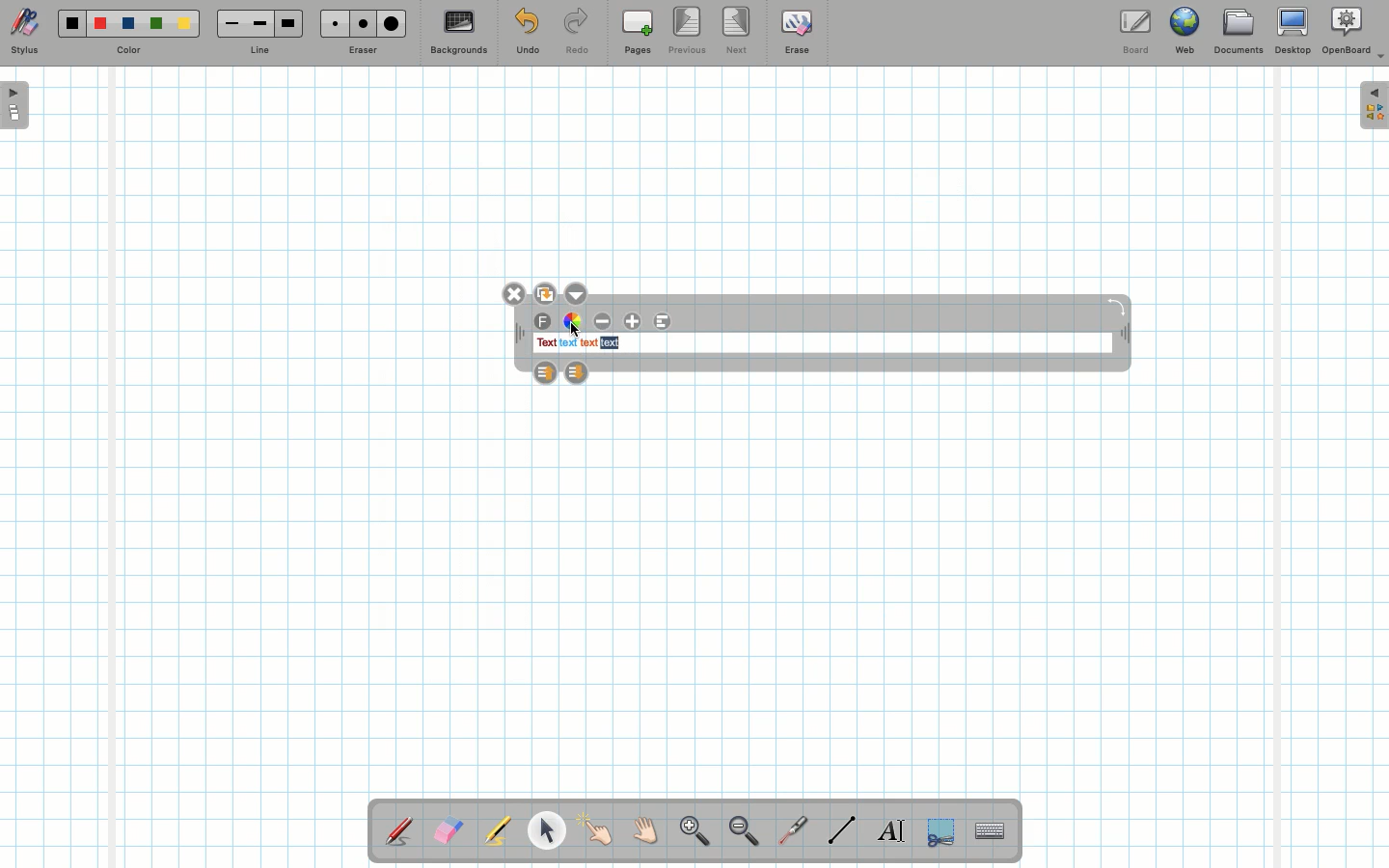  What do you see at coordinates (156, 25) in the screenshot?
I see `Green` at bounding box center [156, 25].